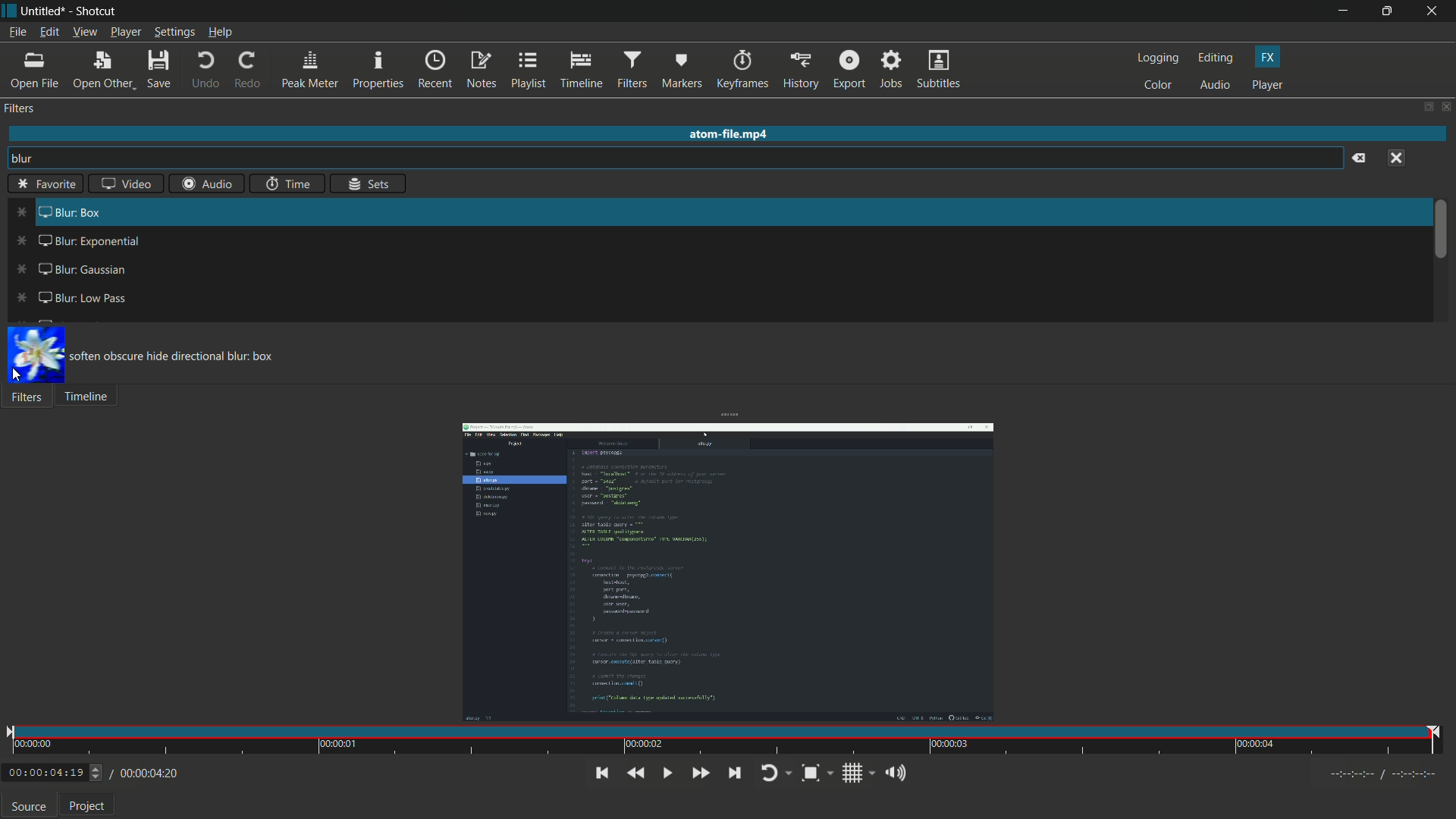  What do you see at coordinates (1159, 86) in the screenshot?
I see `color` at bounding box center [1159, 86].